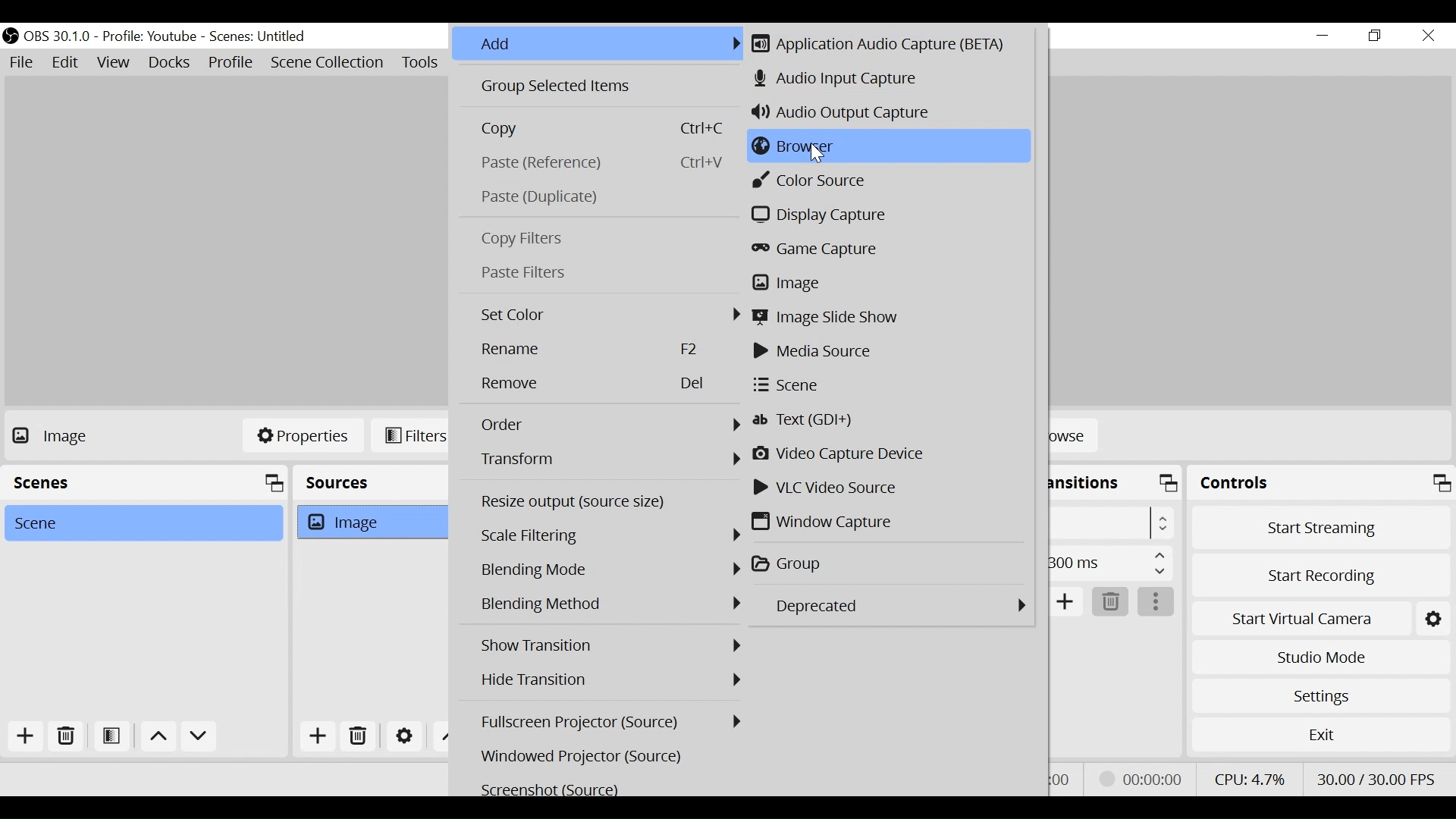 This screenshot has width=1456, height=819. I want to click on Start Recording, so click(1319, 576).